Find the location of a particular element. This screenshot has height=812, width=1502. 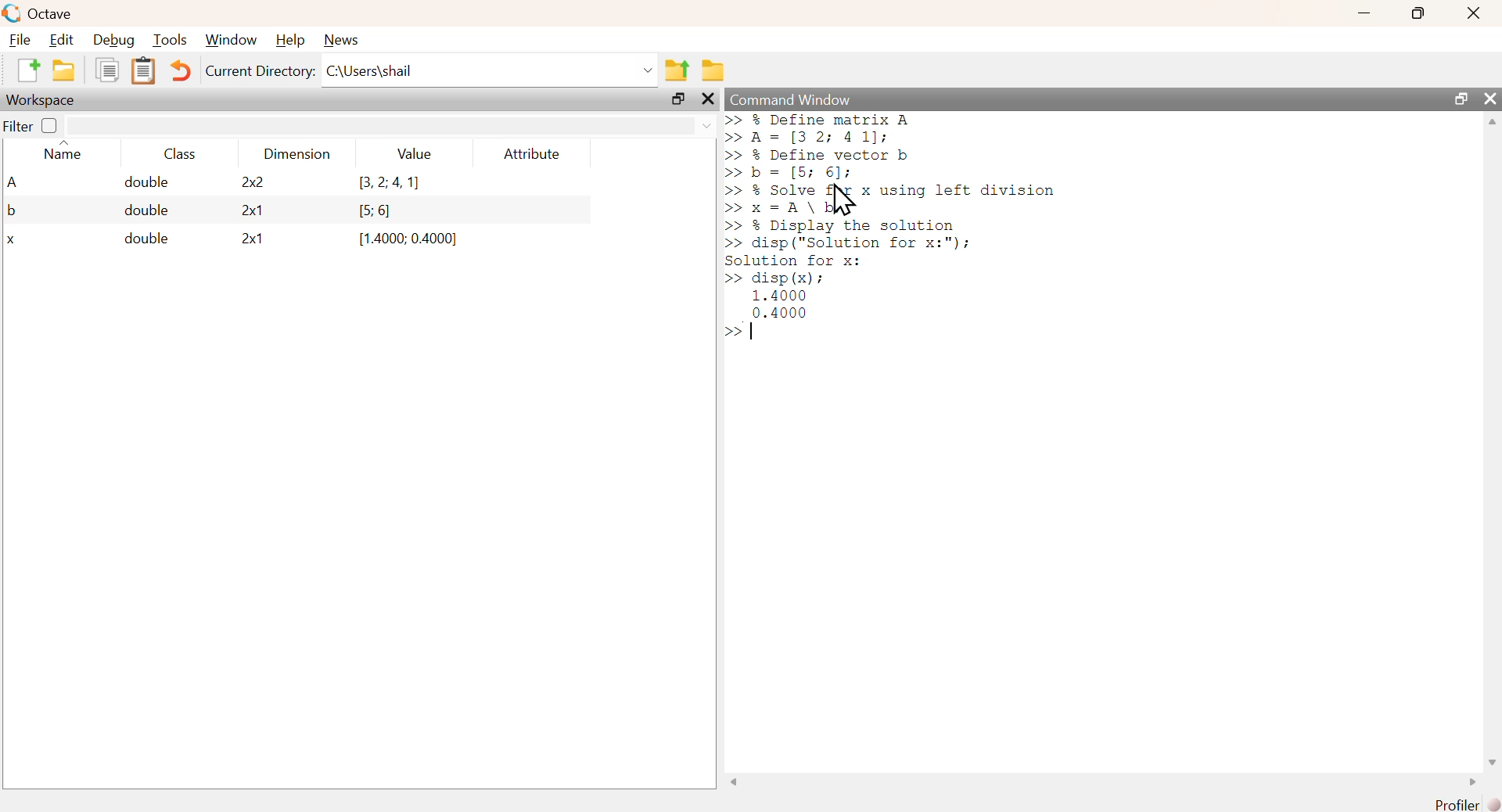

scrollbar is located at coordinates (1493, 441).